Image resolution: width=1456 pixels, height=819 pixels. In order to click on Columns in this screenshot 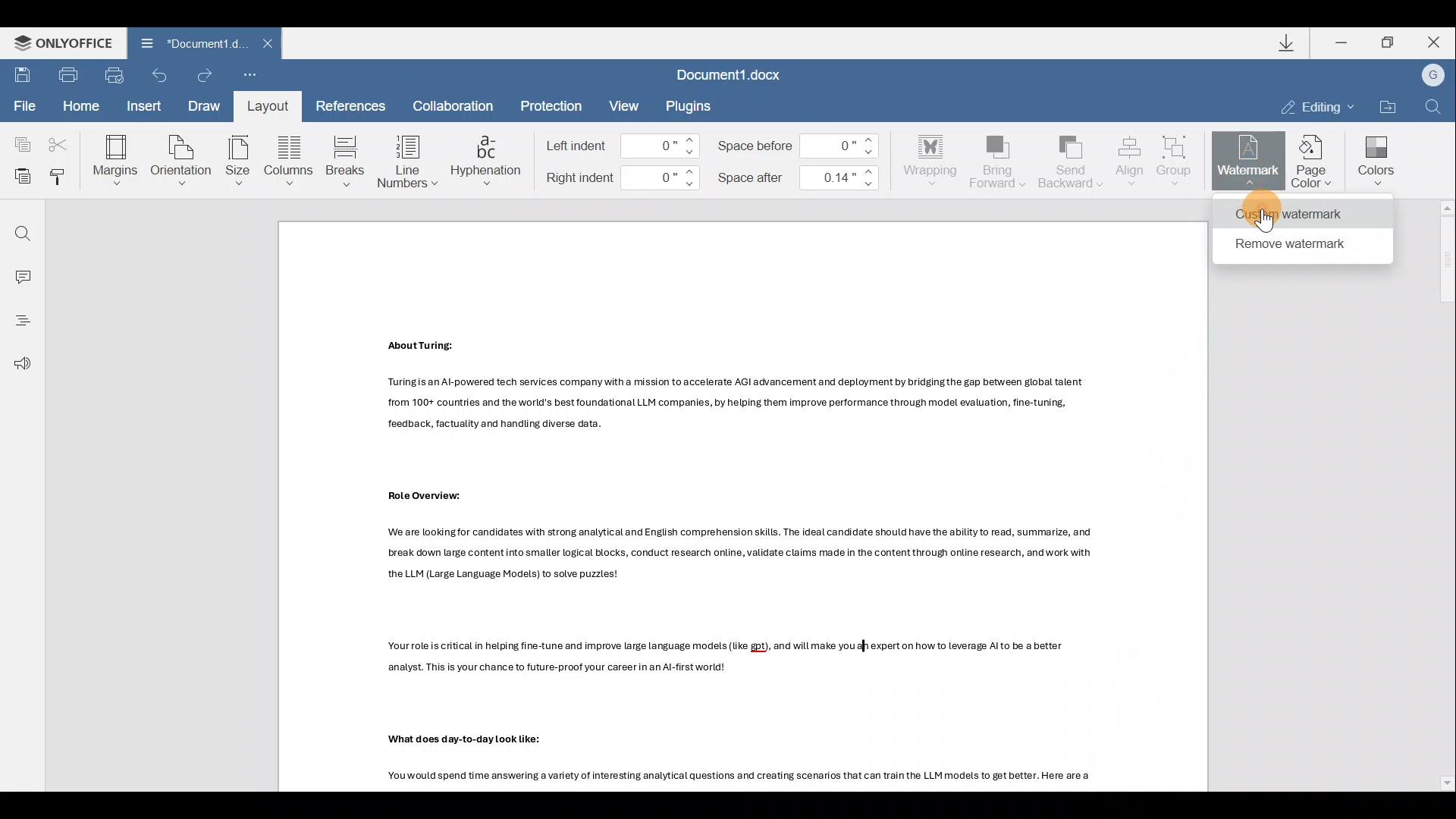, I will do `click(290, 158)`.